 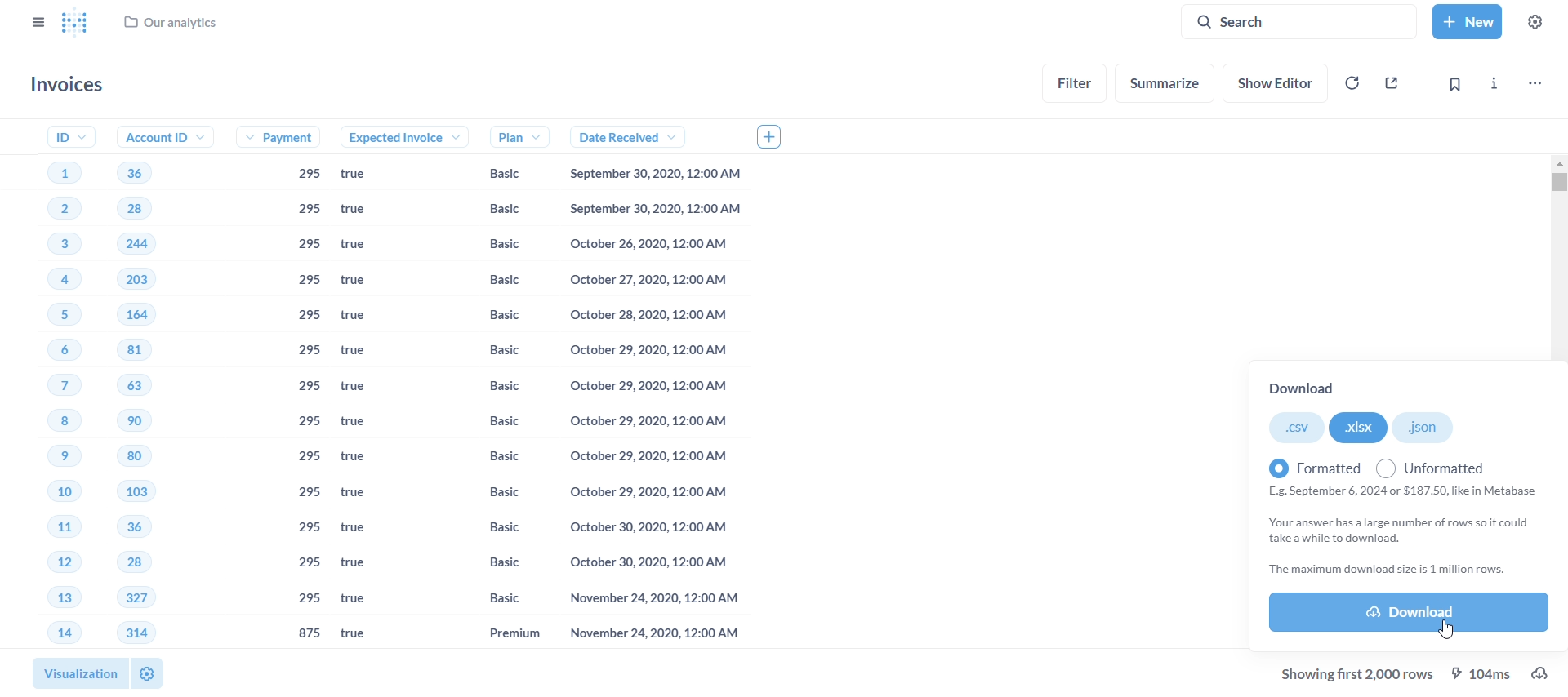 What do you see at coordinates (1548, 673) in the screenshot?
I see `download` at bounding box center [1548, 673].